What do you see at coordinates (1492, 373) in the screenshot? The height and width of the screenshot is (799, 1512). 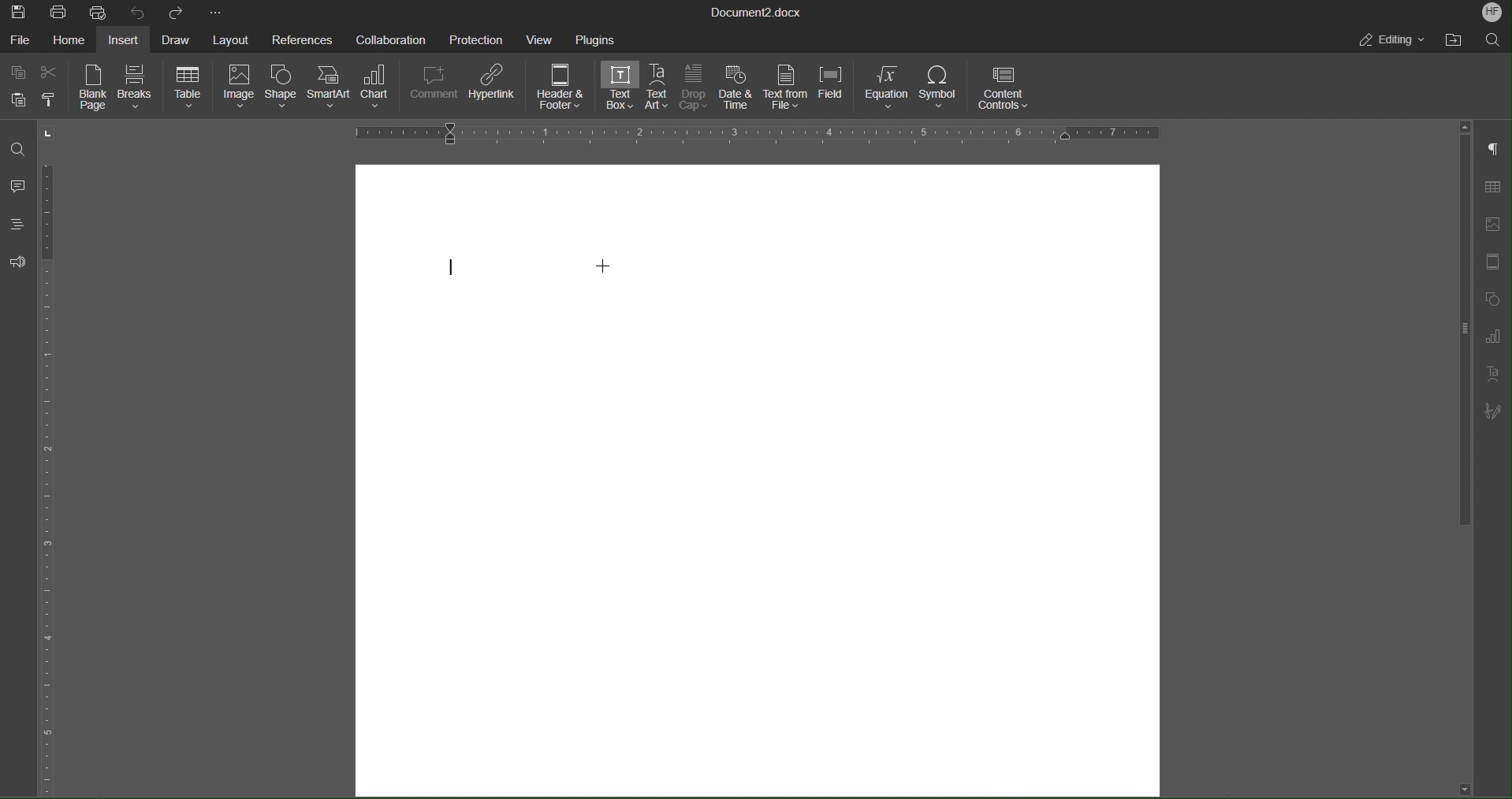 I see `Text Art` at bounding box center [1492, 373].